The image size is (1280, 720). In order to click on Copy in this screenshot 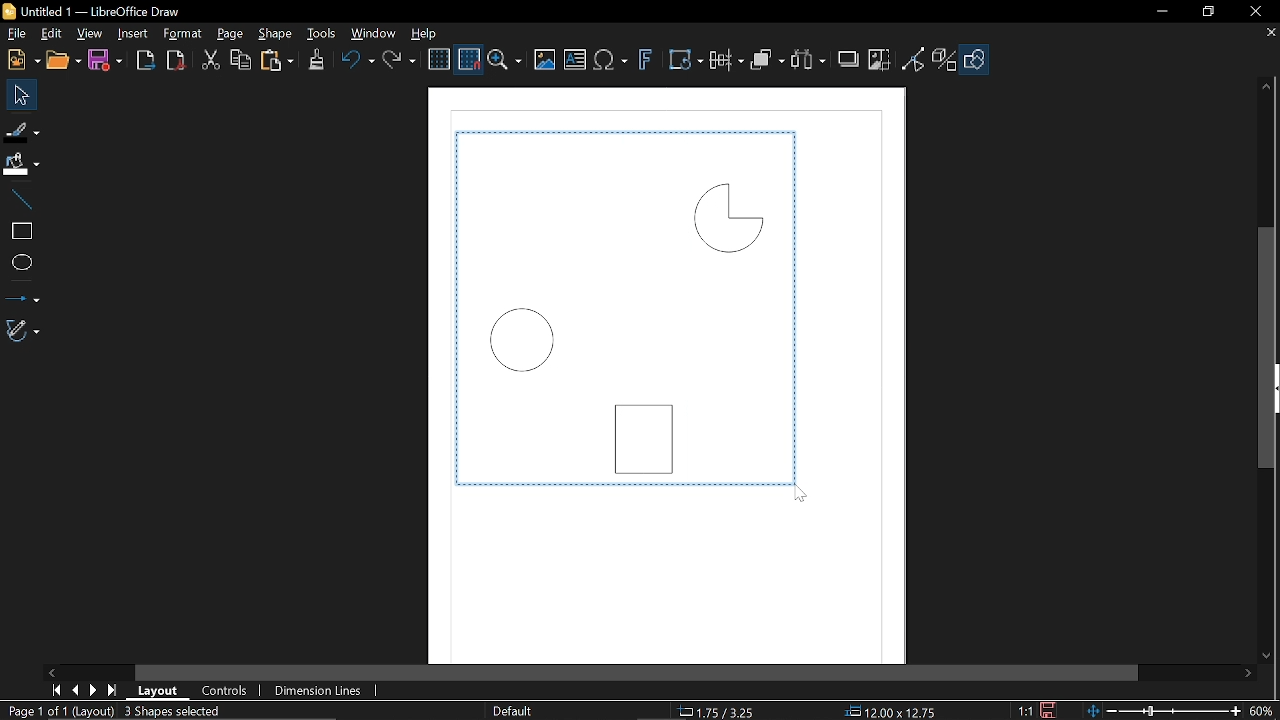, I will do `click(243, 60)`.